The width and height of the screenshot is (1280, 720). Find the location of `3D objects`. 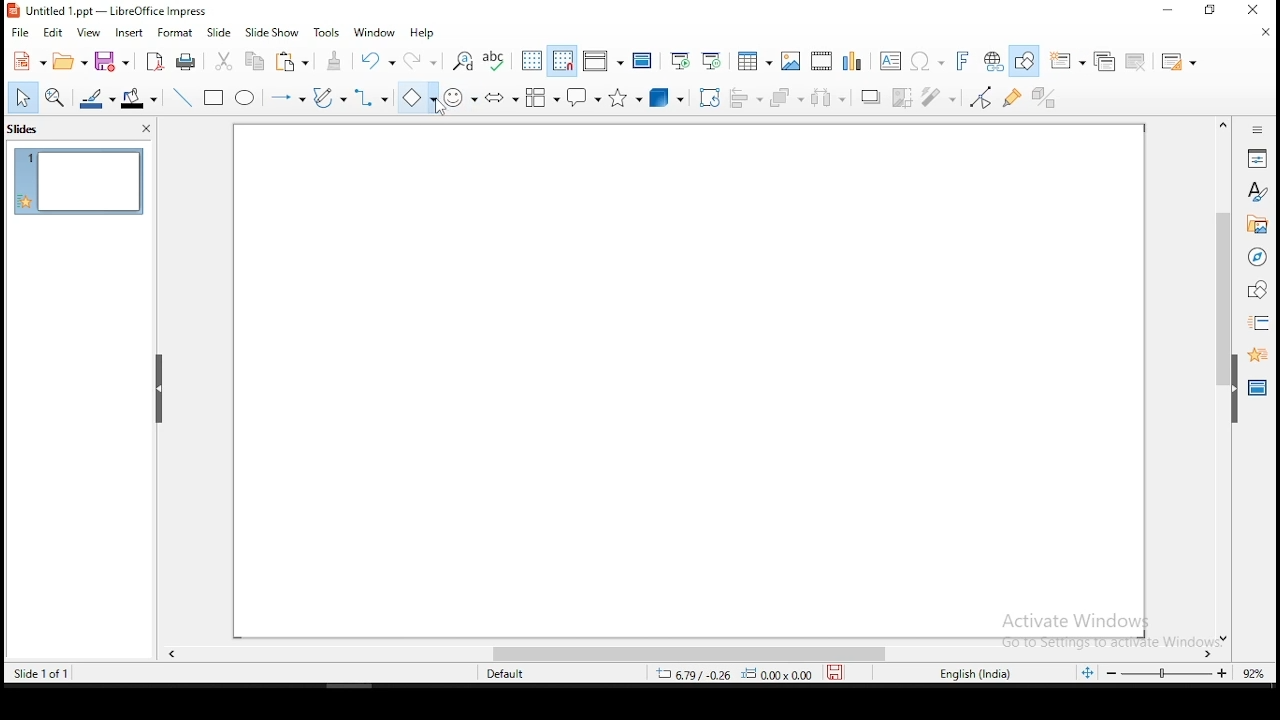

3D objects is located at coordinates (667, 97).